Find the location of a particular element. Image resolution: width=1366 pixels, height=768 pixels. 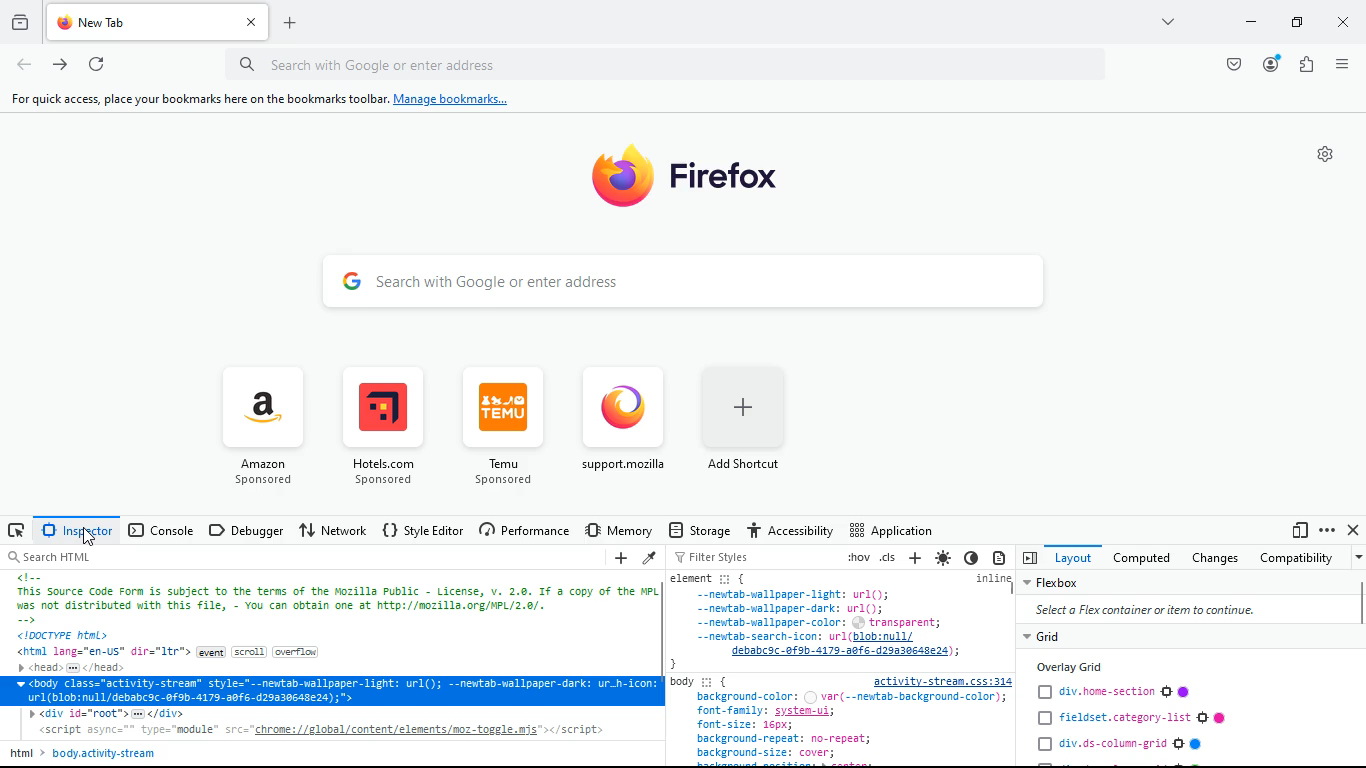

network is located at coordinates (333, 531).